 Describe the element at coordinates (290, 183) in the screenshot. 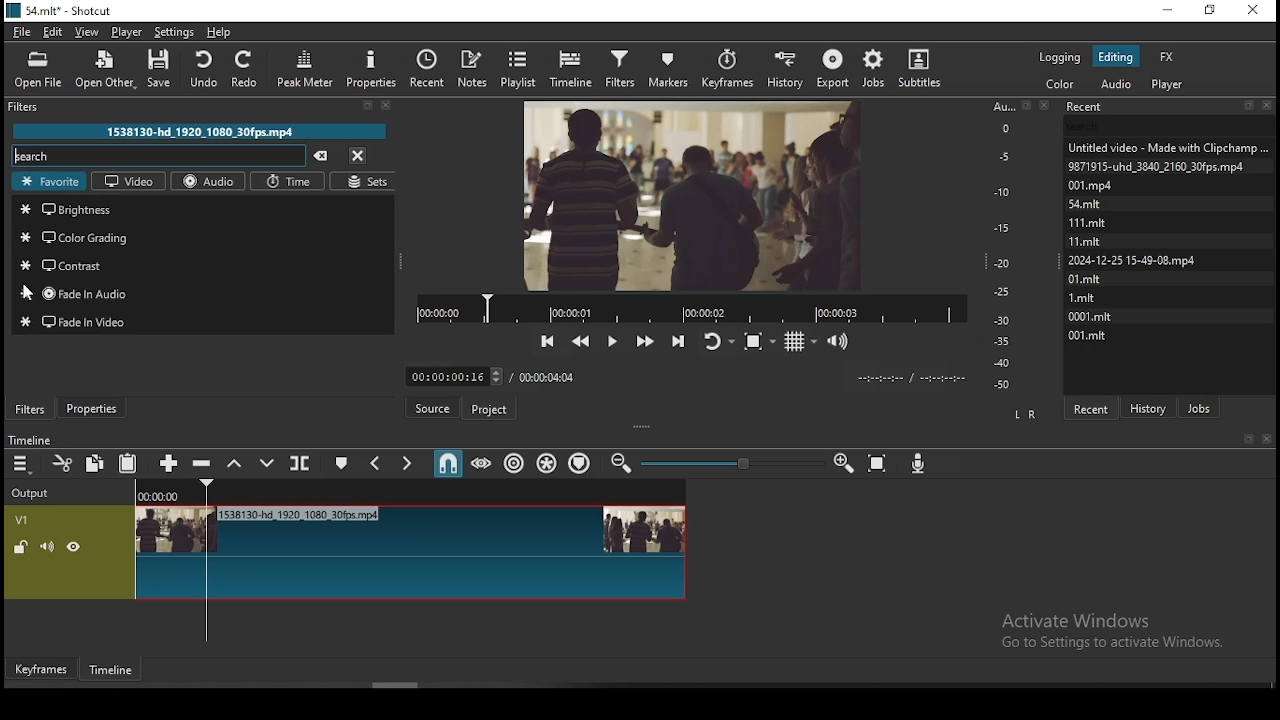

I see `time` at that location.